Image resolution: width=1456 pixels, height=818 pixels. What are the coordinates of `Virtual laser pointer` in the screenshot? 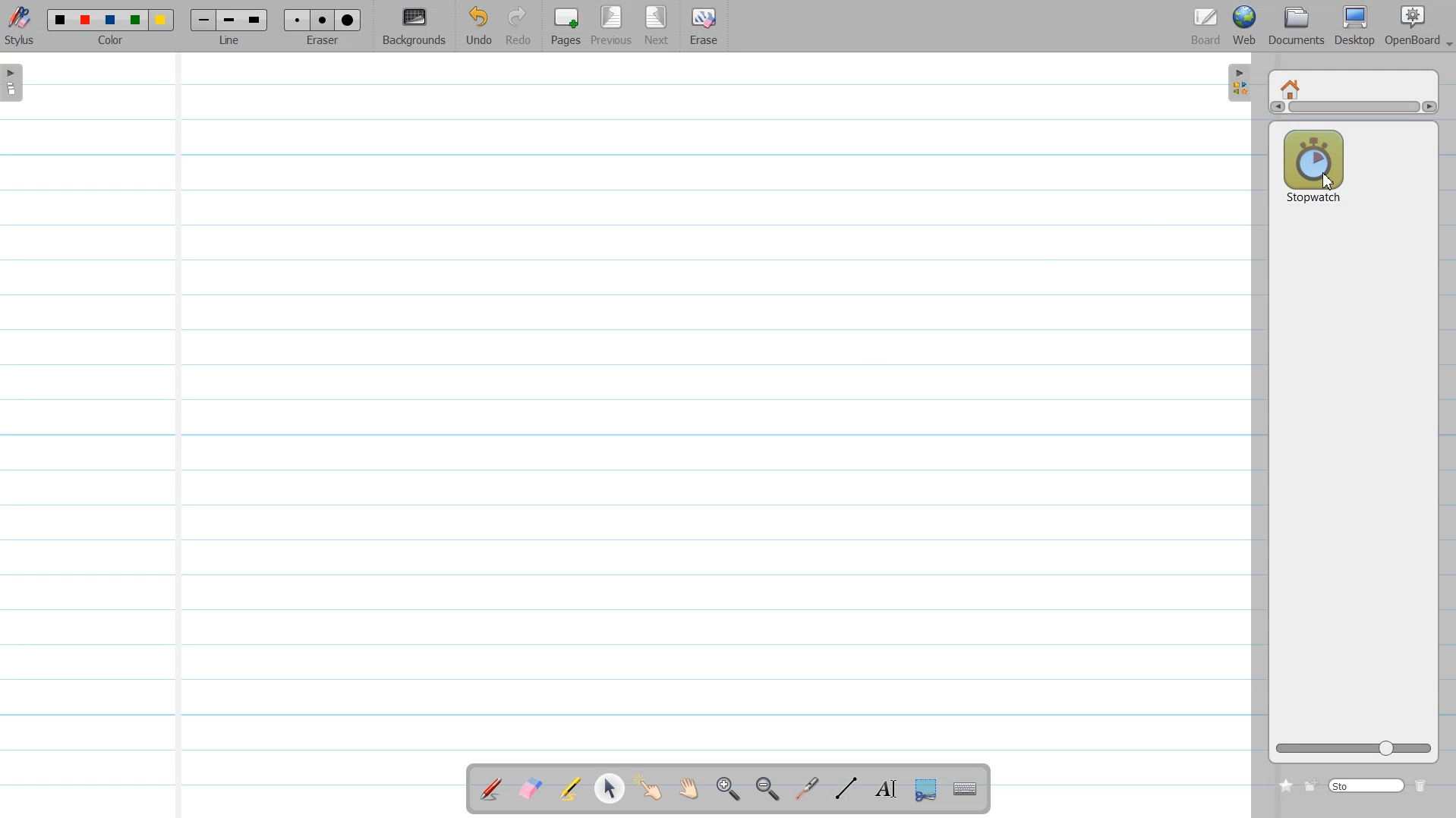 It's located at (807, 789).